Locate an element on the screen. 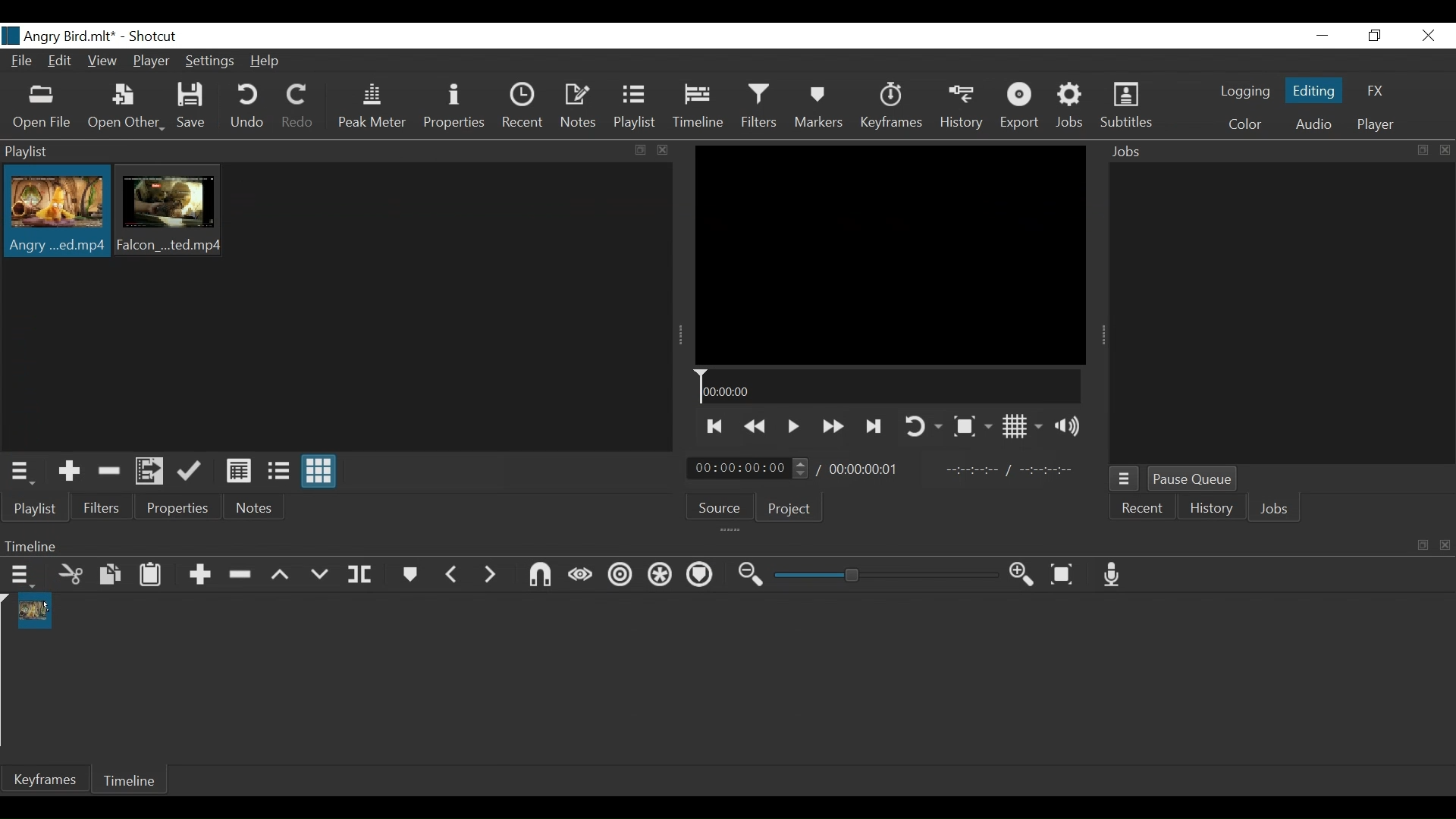 The width and height of the screenshot is (1456, 819). Play forward quickly is located at coordinates (832, 427).